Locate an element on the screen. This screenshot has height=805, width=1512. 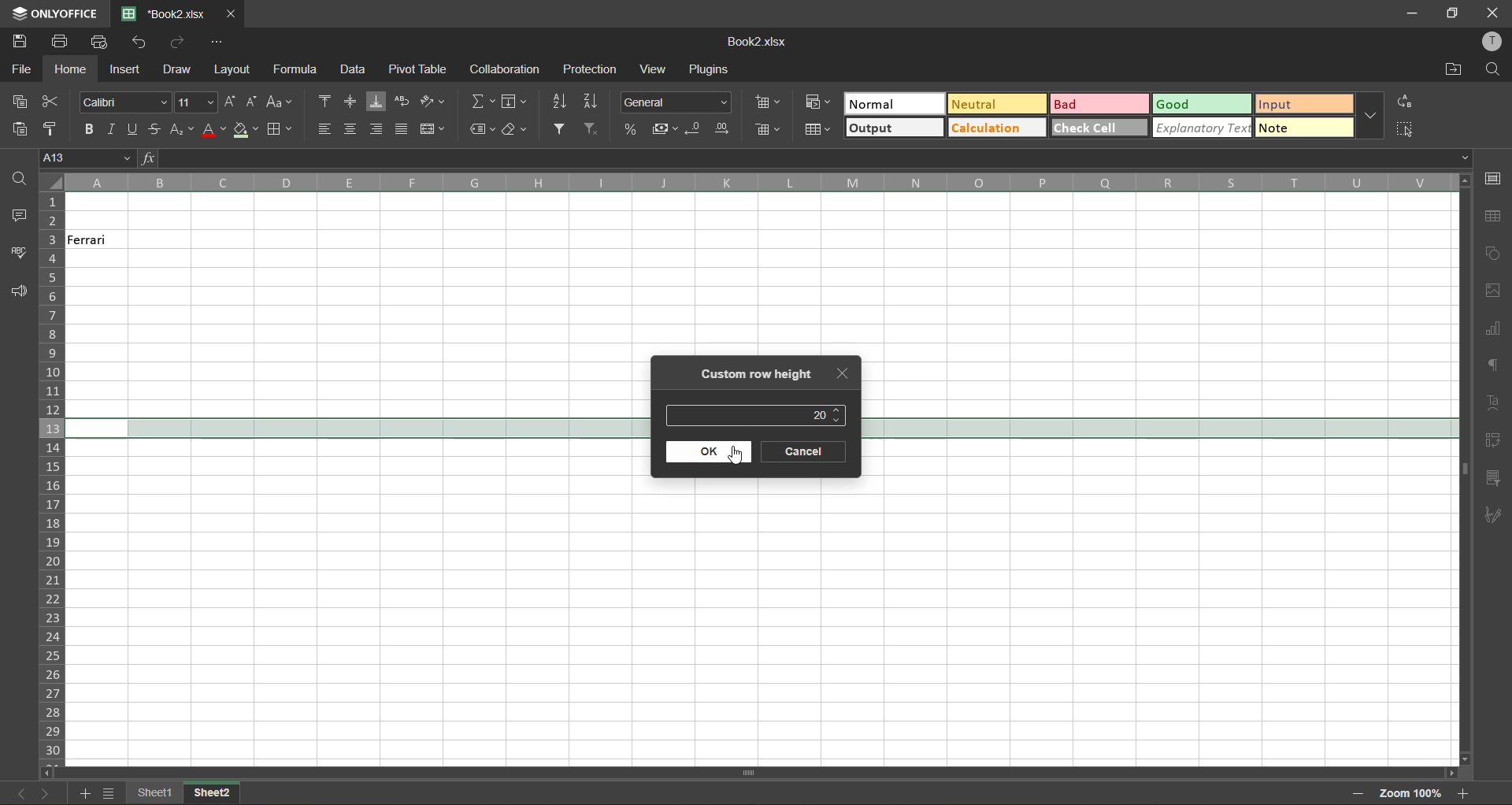
bold is located at coordinates (88, 130).